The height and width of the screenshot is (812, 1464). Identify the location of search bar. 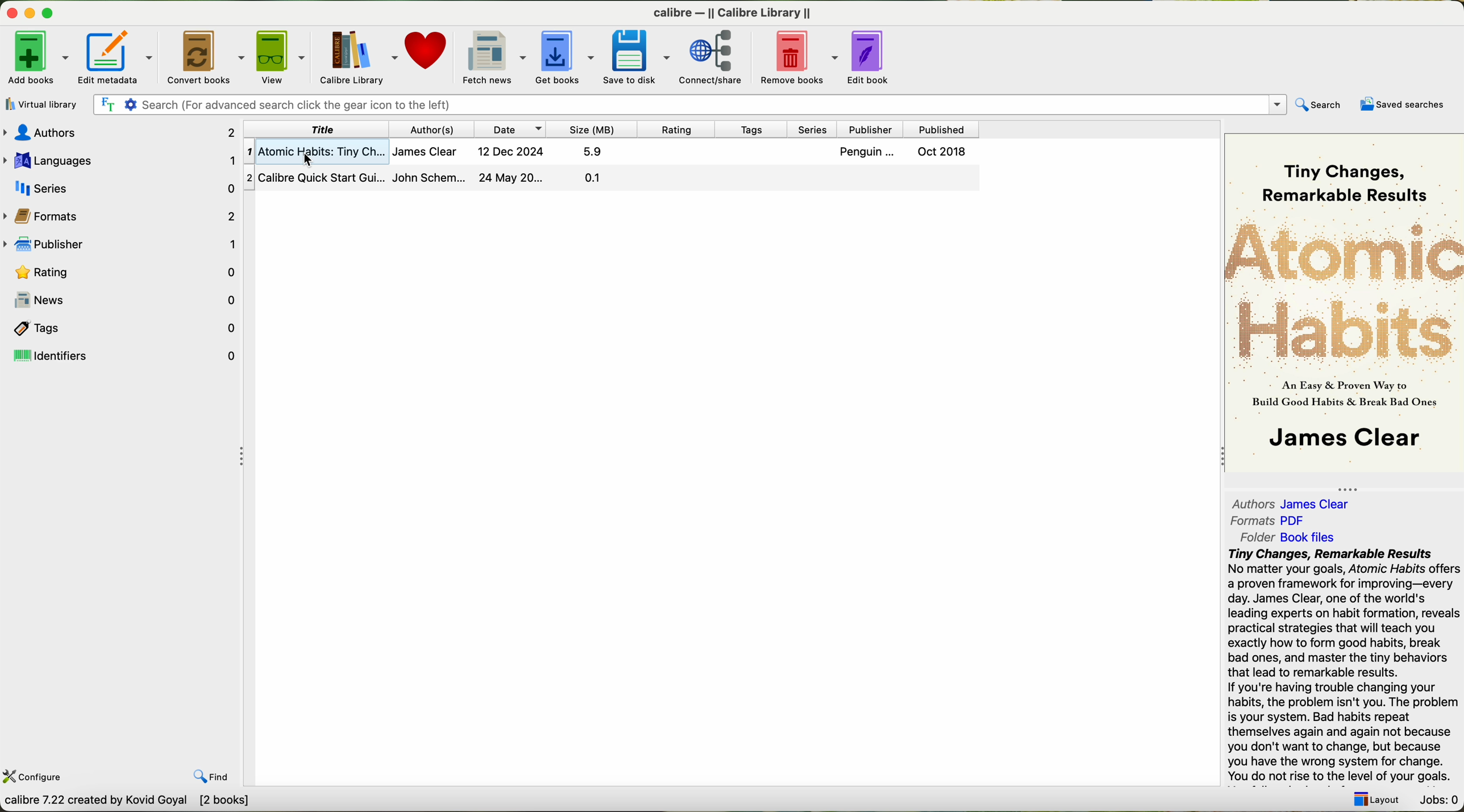
(690, 105).